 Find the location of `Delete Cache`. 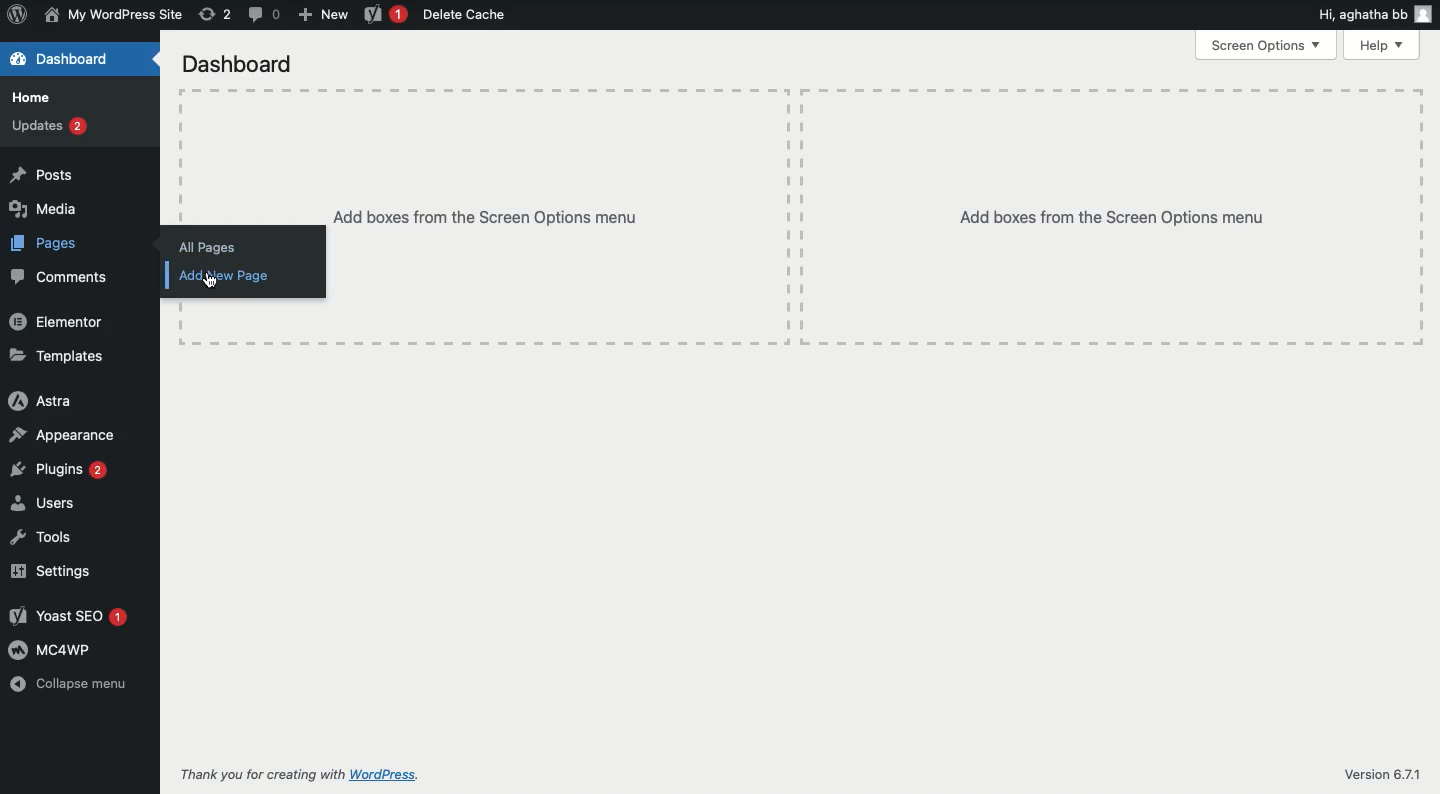

Delete Cache is located at coordinates (470, 14).